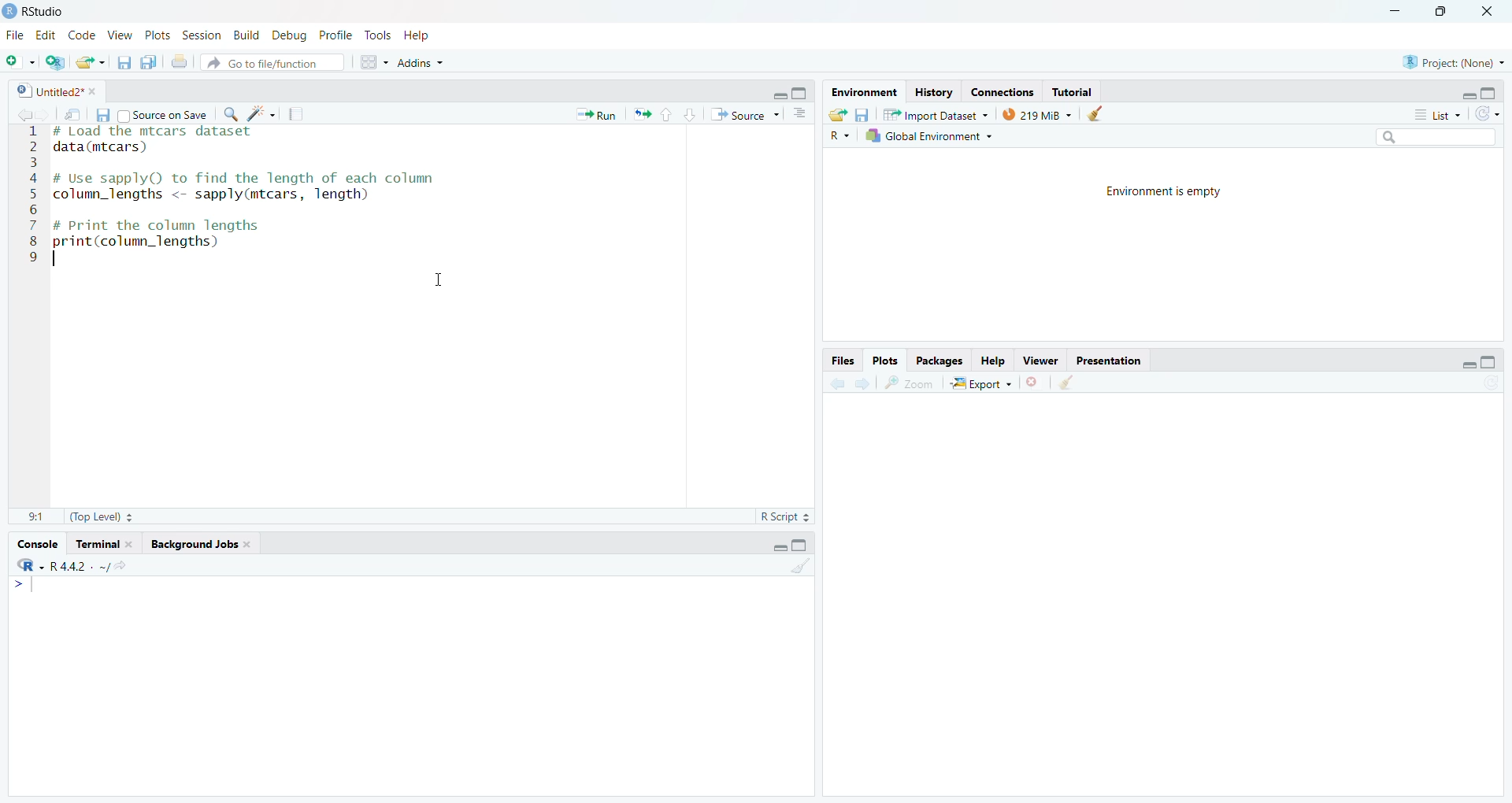  Describe the element at coordinates (886, 361) in the screenshot. I see `Plots` at that location.